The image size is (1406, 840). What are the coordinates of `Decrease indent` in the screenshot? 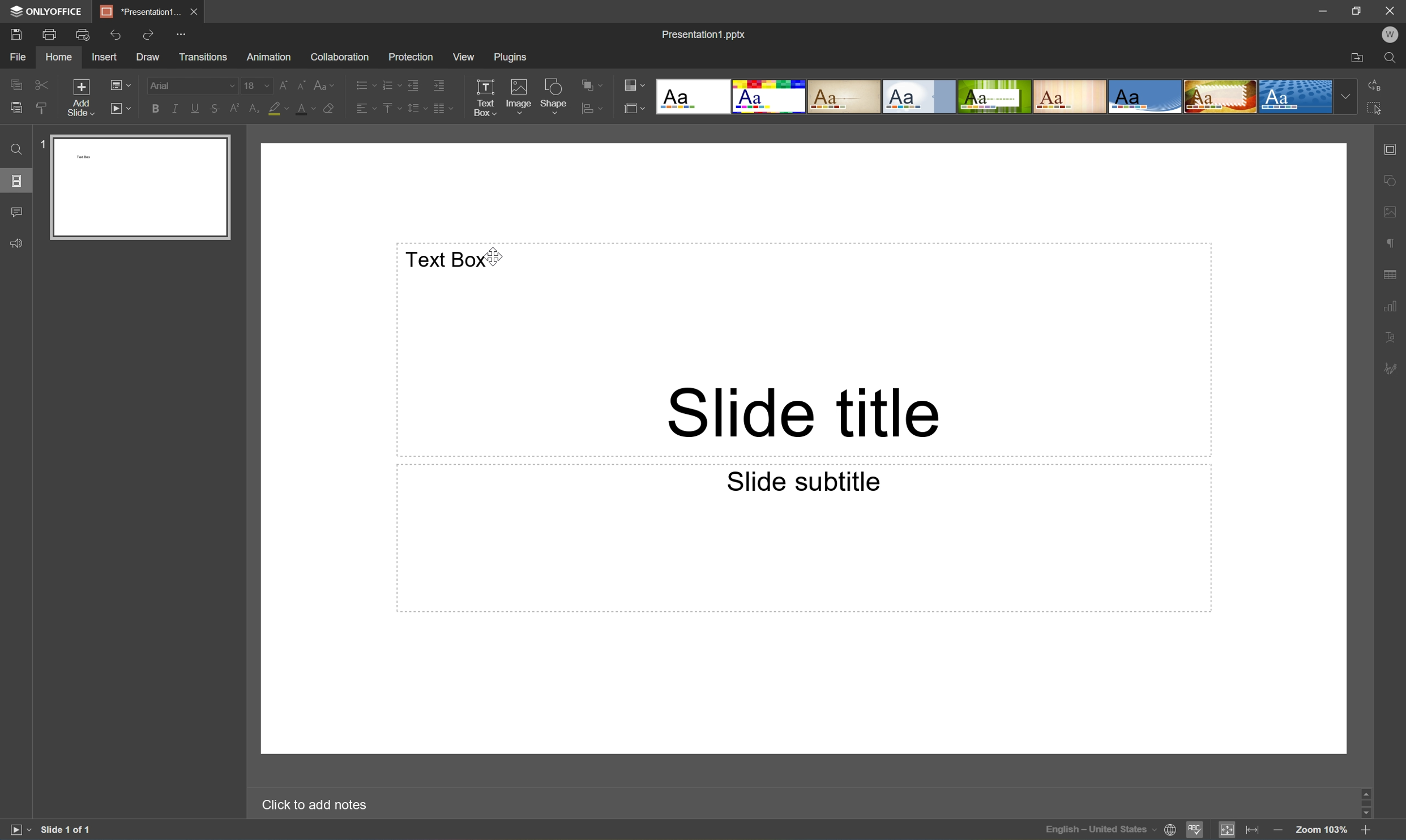 It's located at (411, 84).